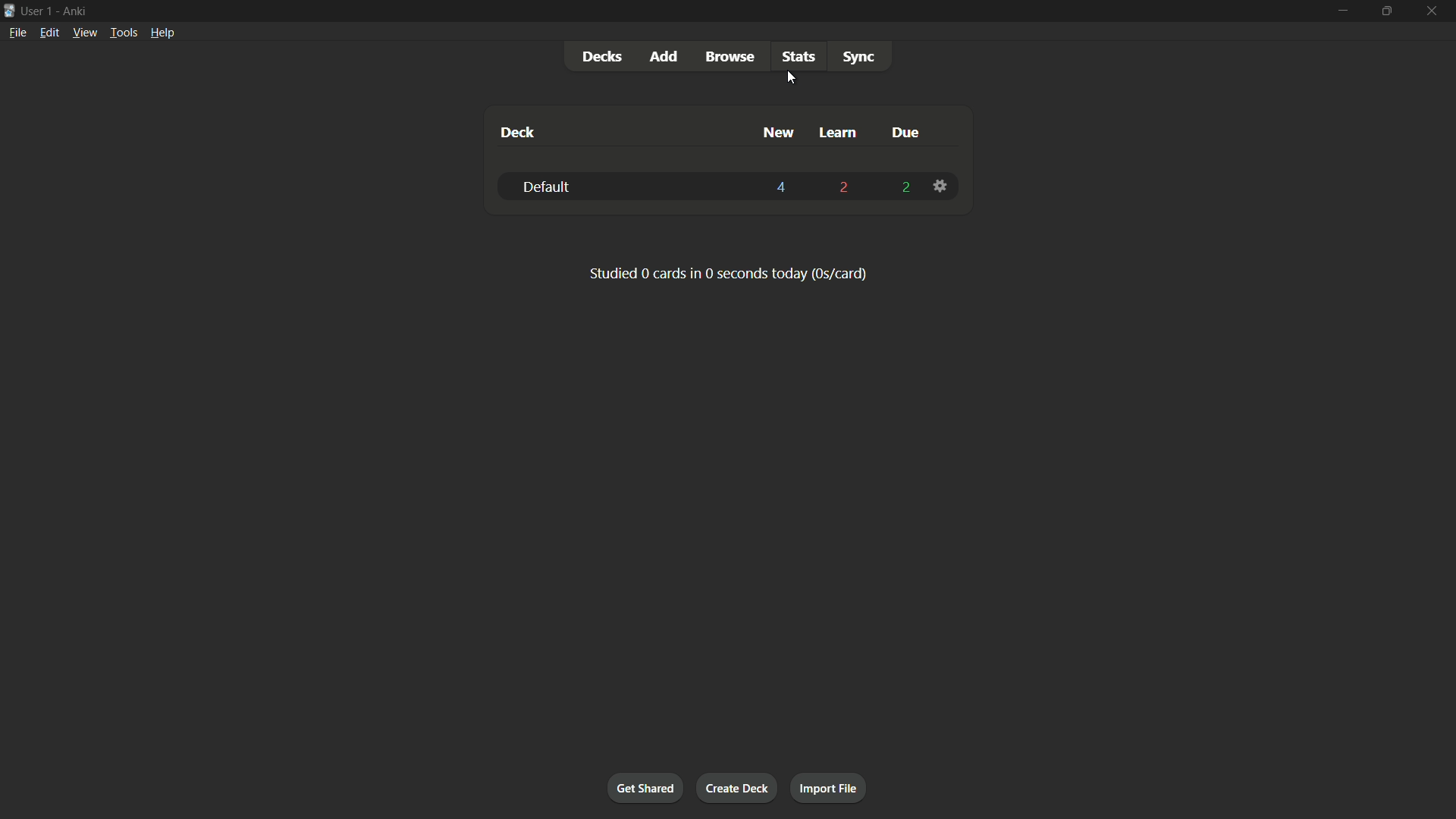 This screenshot has height=819, width=1456. What do you see at coordinates (645, 789) in the screenshot?
I see `get shared` at bounding box center [645, 789].